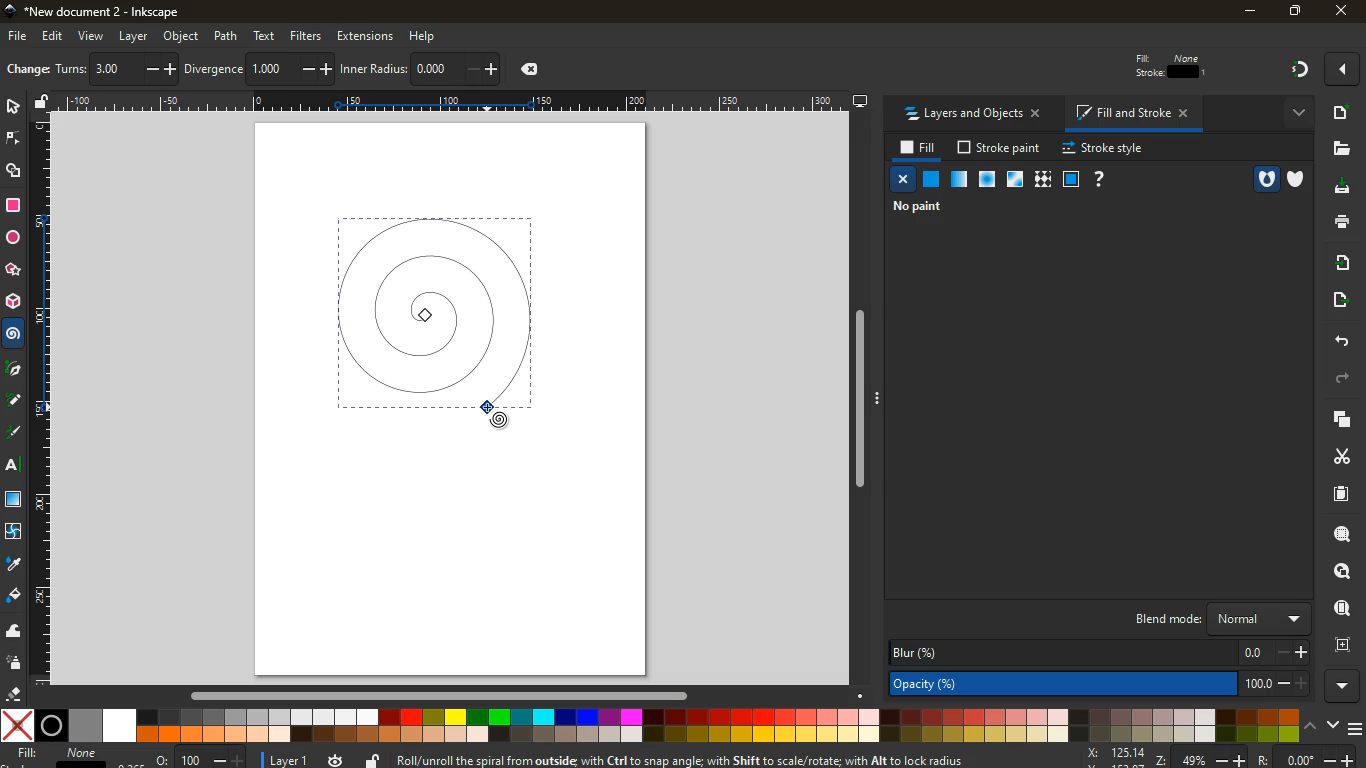 The width and height of the screenshot is (1366, 768). I want to click on wave, so click(14, 631).